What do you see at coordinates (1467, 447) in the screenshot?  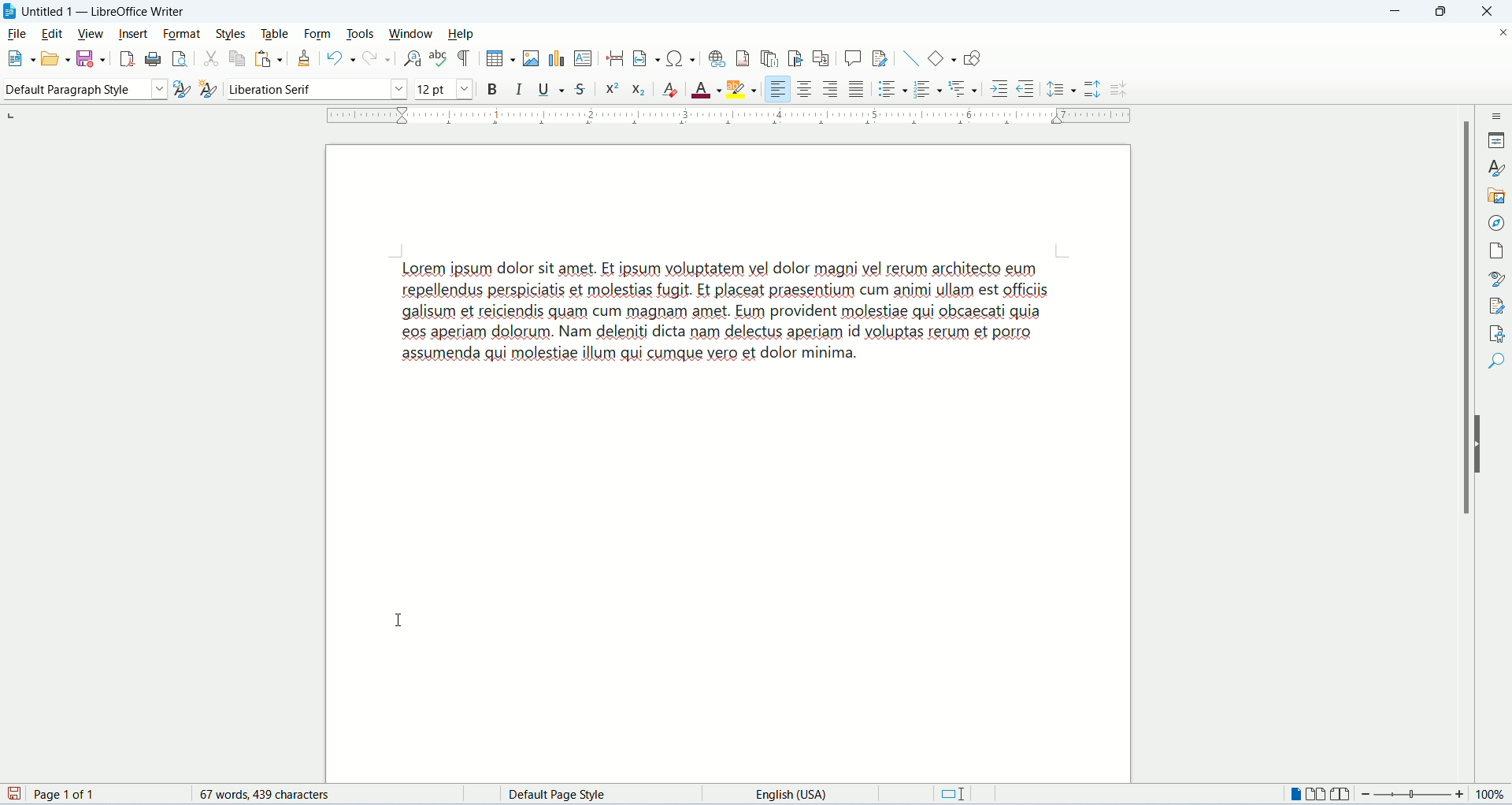 I see `vertical scroll bar` at bounding box center [1467, 447].